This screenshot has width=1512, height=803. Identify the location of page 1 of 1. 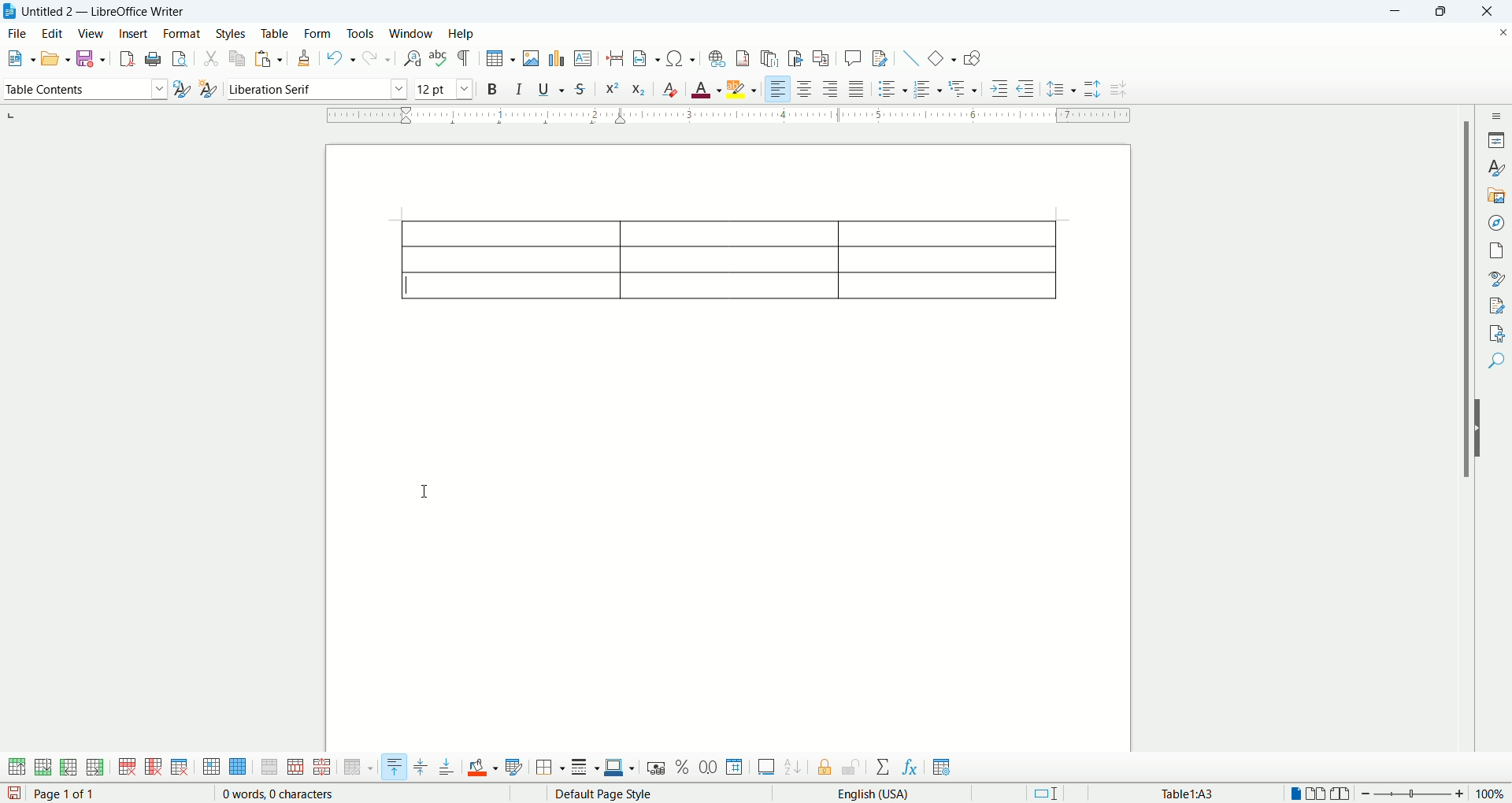
(74, 794).